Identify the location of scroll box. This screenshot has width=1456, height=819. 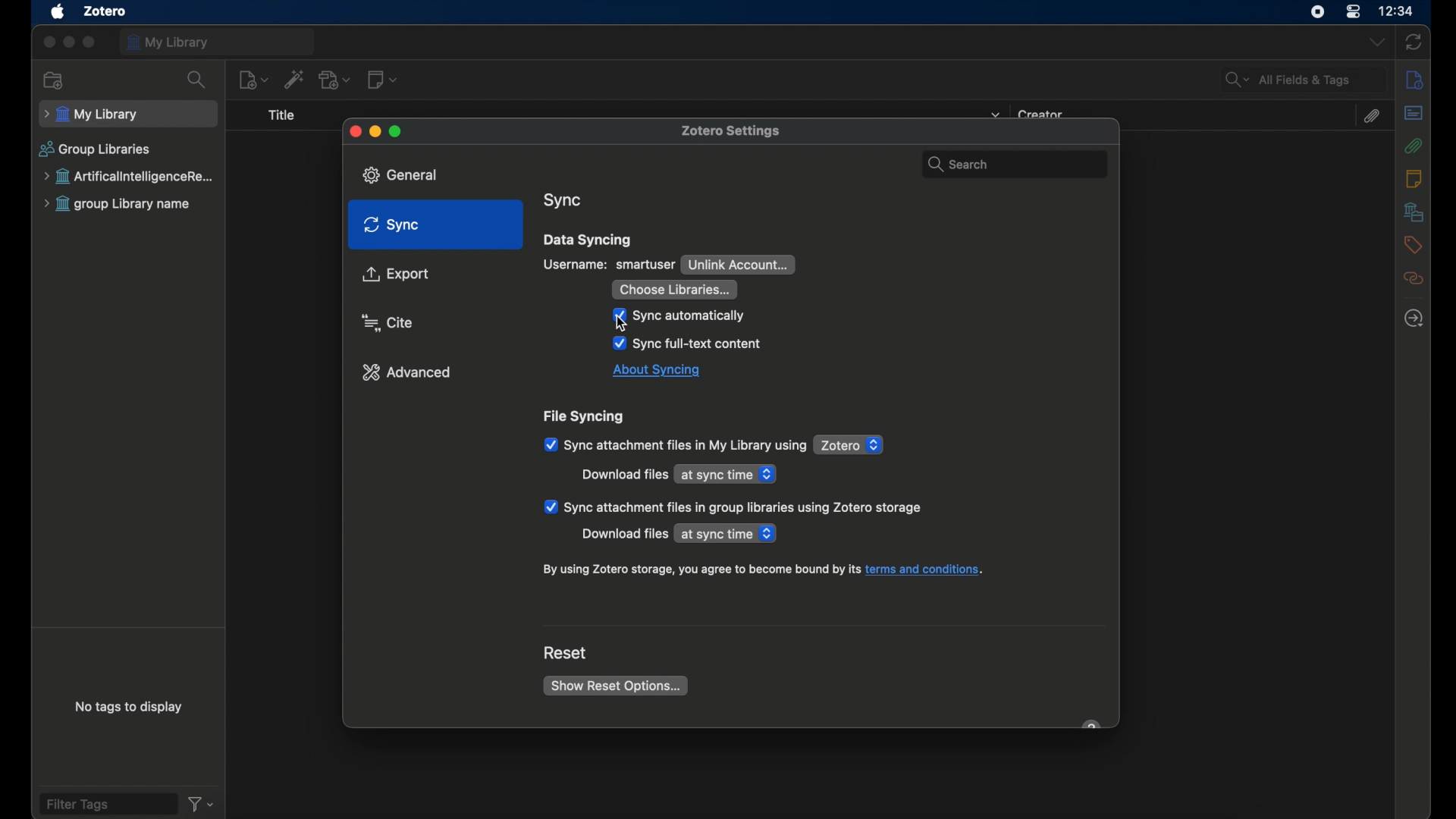
(1115, 444).